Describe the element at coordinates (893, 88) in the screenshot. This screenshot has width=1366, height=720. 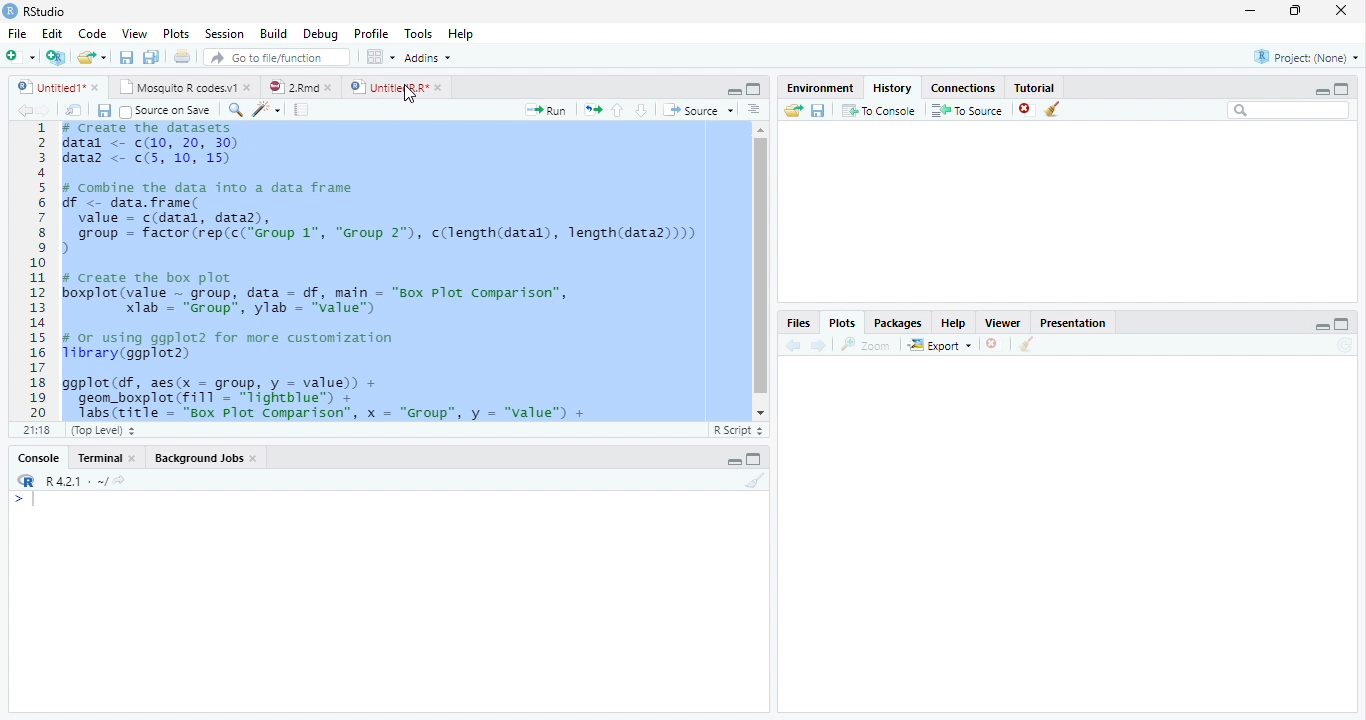
I see `History` at that location.